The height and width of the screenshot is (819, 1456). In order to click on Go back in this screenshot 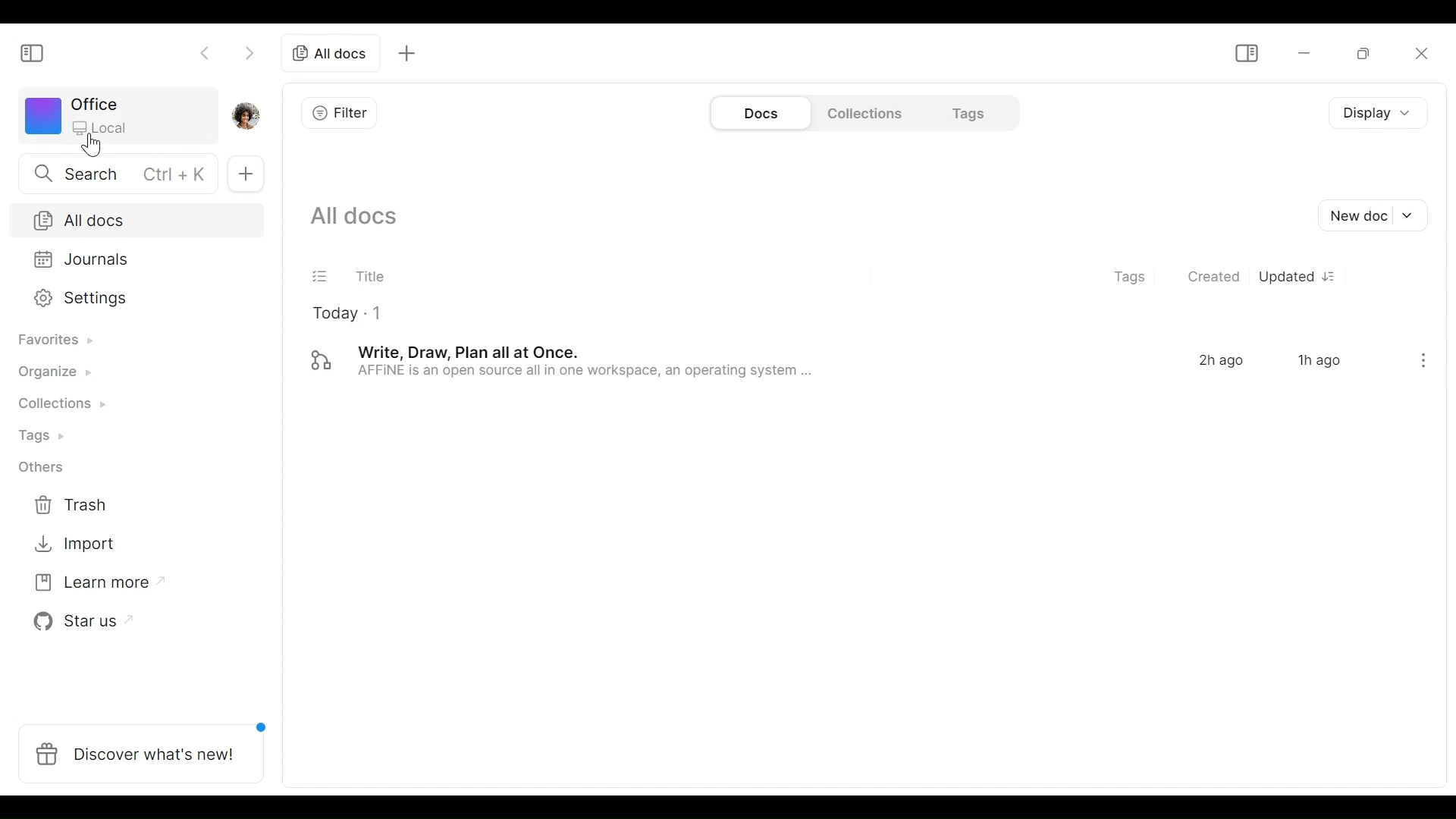, I will do `click(206, 55)`.